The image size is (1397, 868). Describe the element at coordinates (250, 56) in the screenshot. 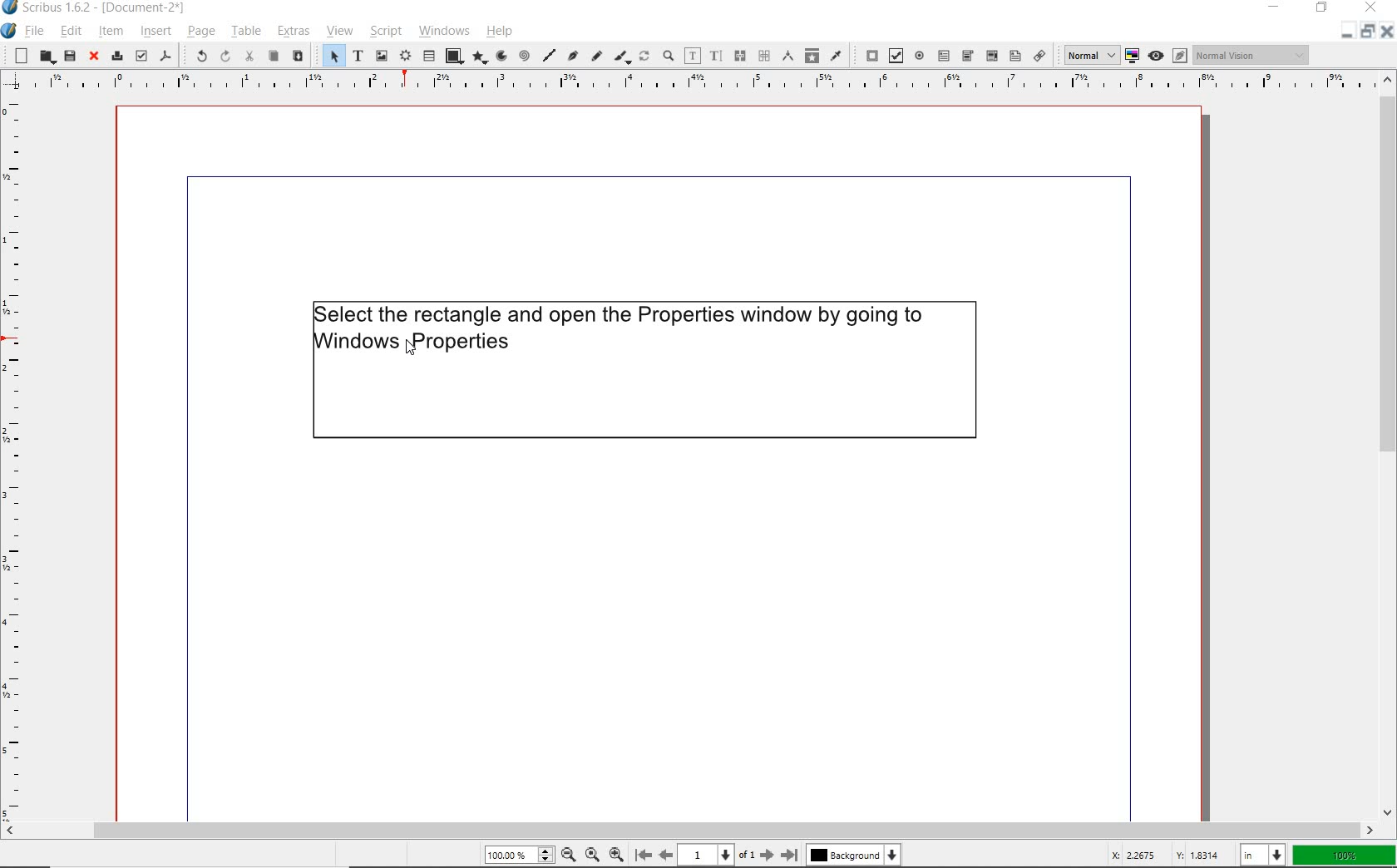

I see `cut` at that location.